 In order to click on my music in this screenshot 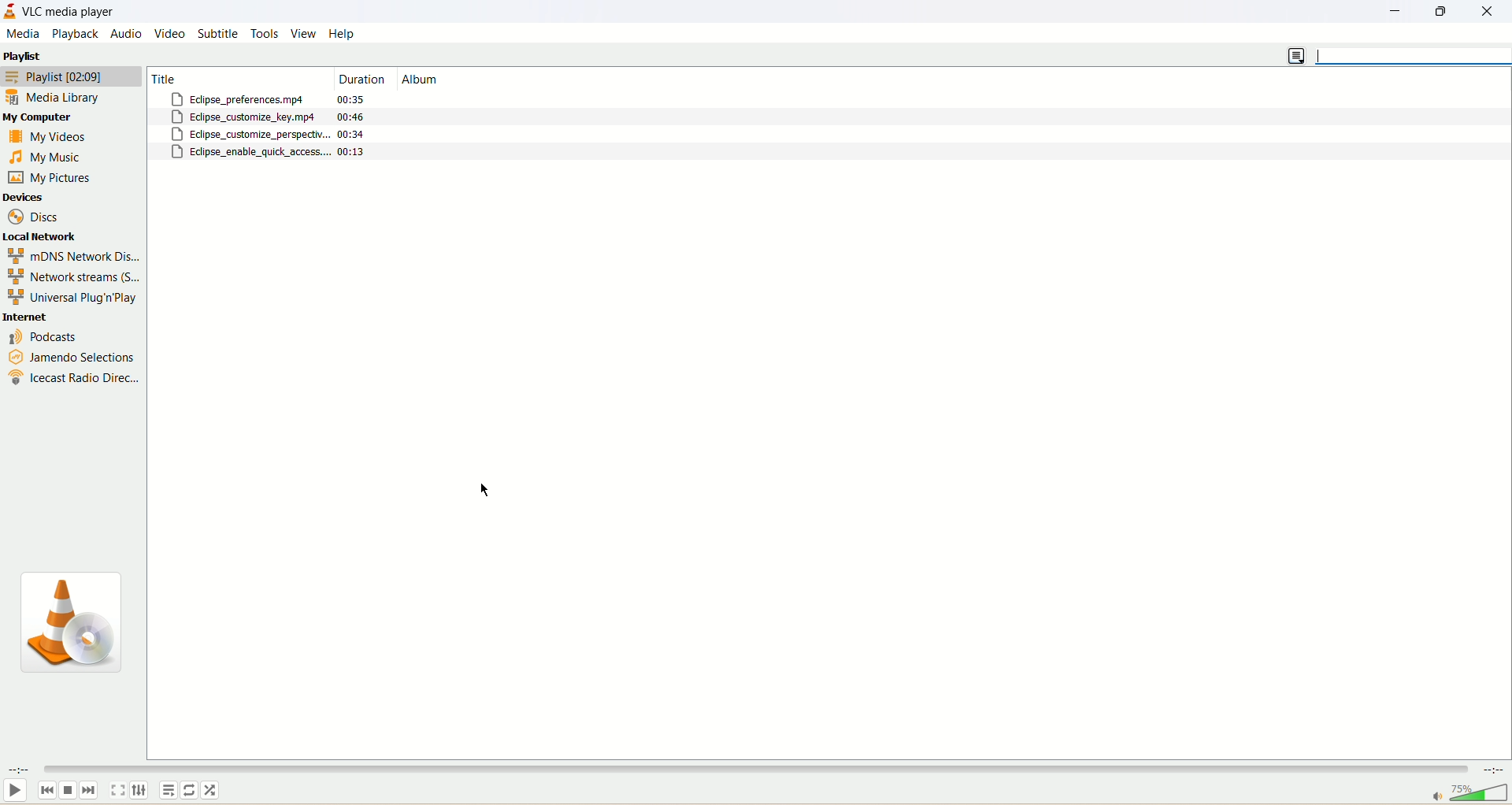, I will do `click(46, 156)`.